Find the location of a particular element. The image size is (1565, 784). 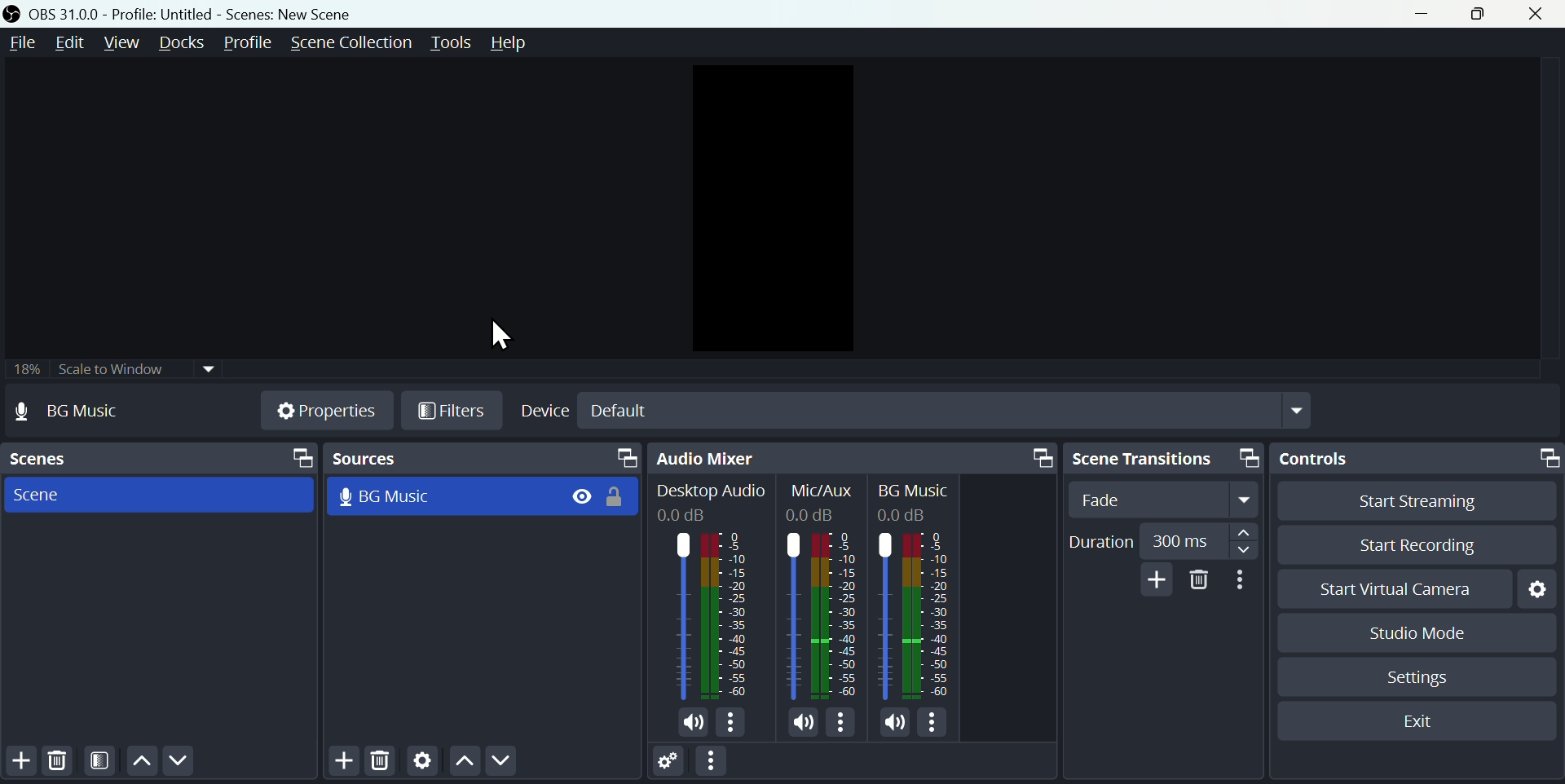

Docks is located at coordinates (180, 42).